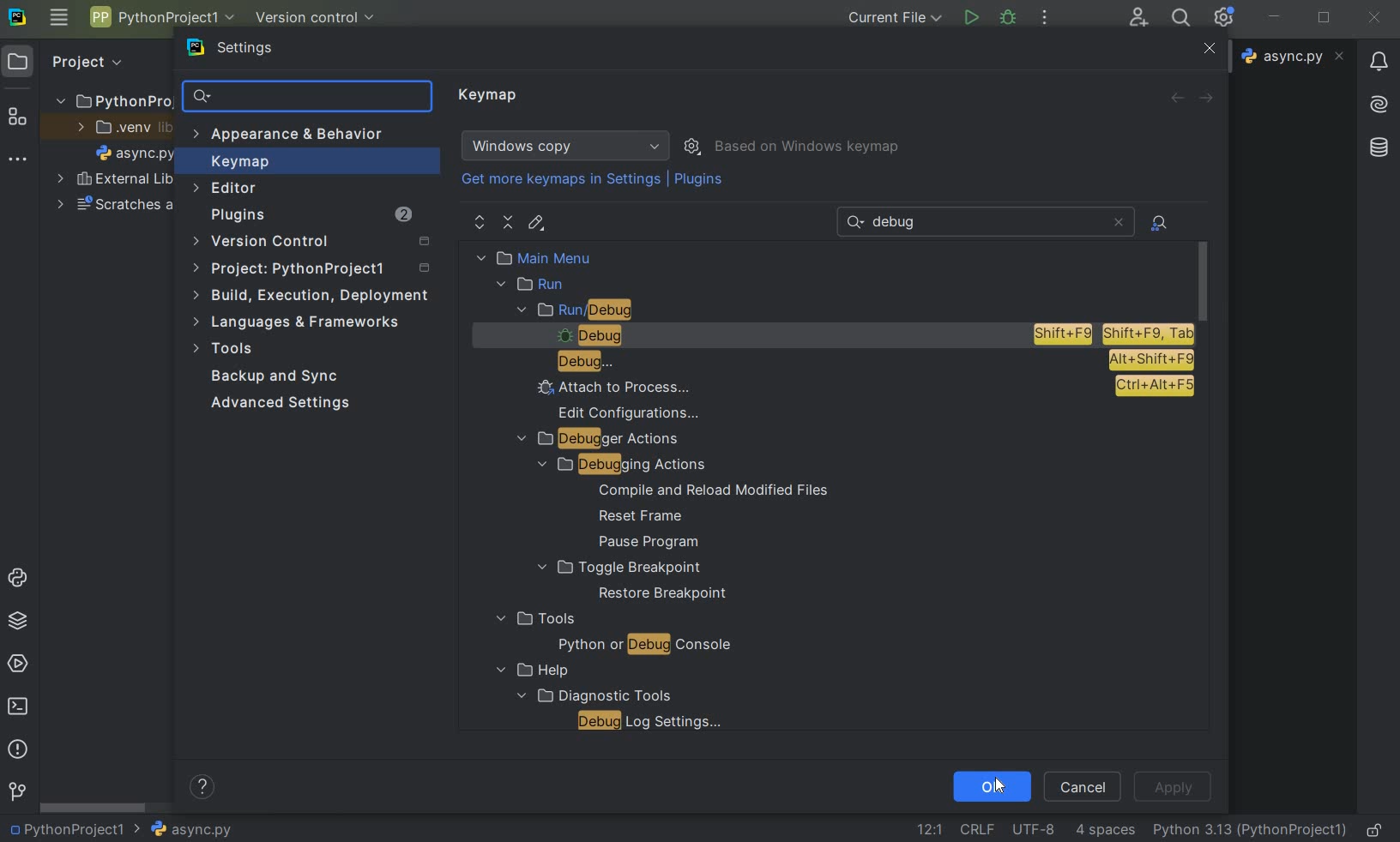  Describe the element at coordinates (534, 619) in the screenshot. I see `tools` at that location.